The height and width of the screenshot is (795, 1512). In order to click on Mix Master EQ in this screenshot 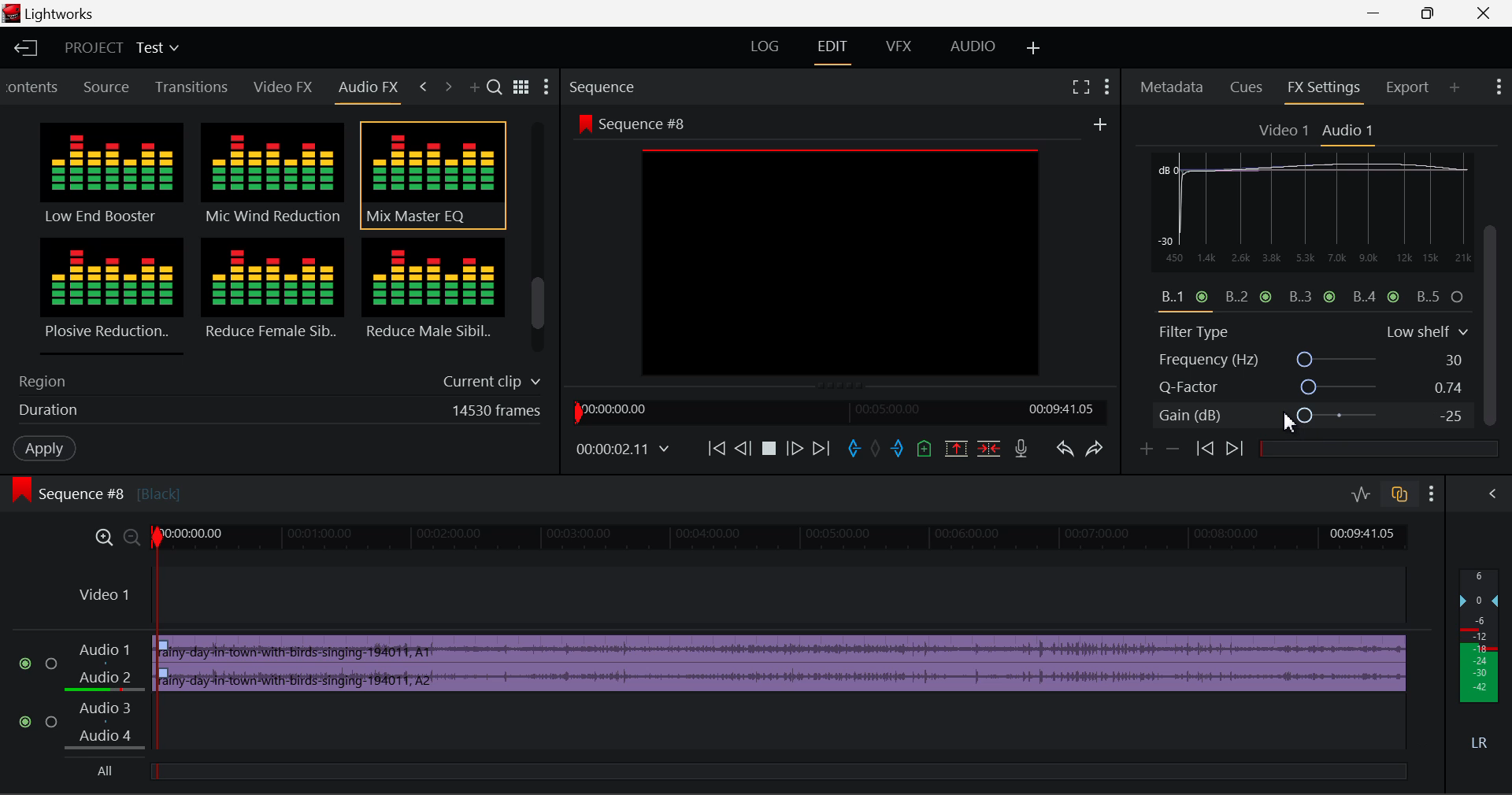, I will do `click(430, 176)`.